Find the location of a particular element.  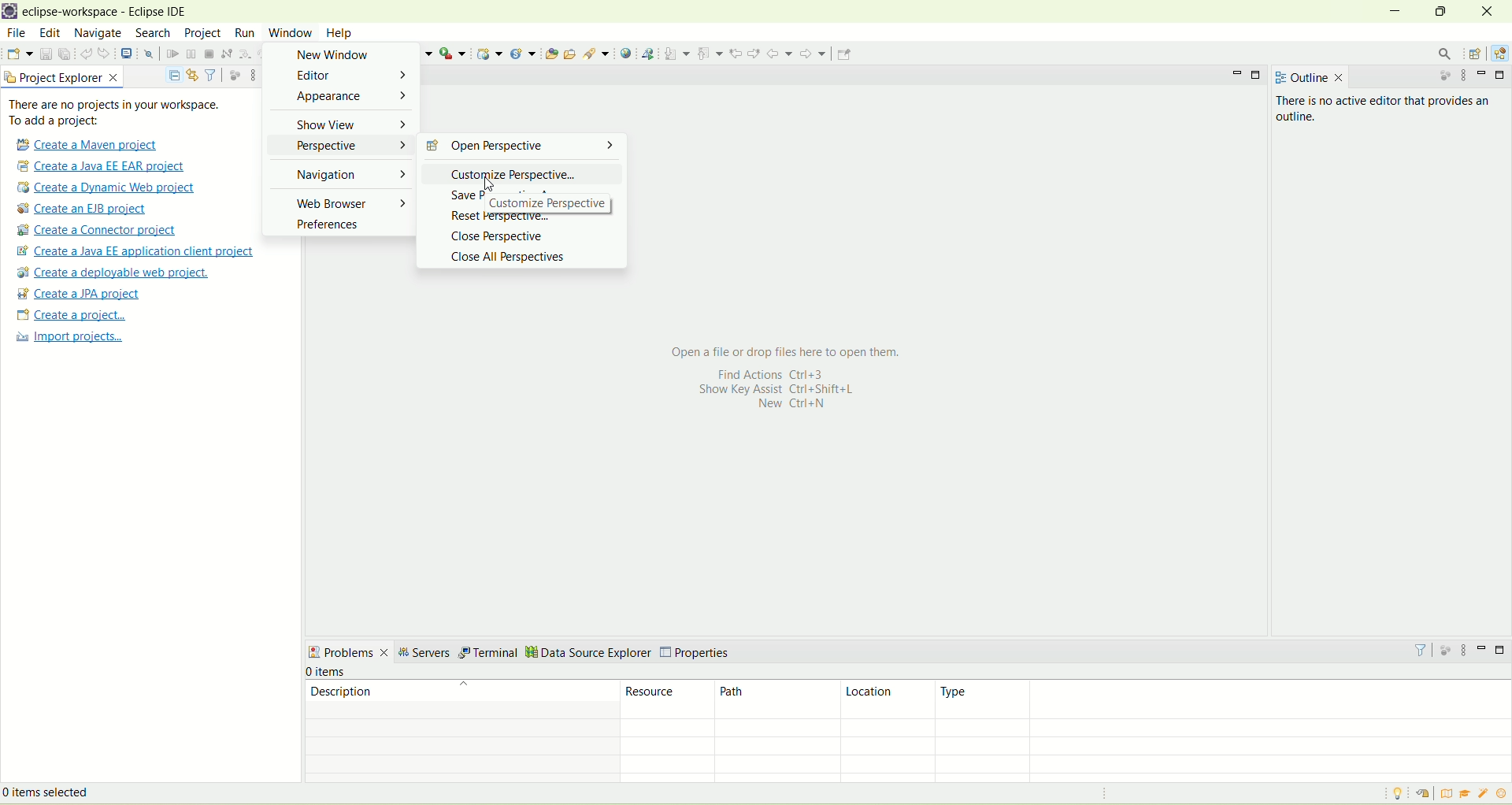

Find actions Ctrl+3 is located at coordinates (763, 374).